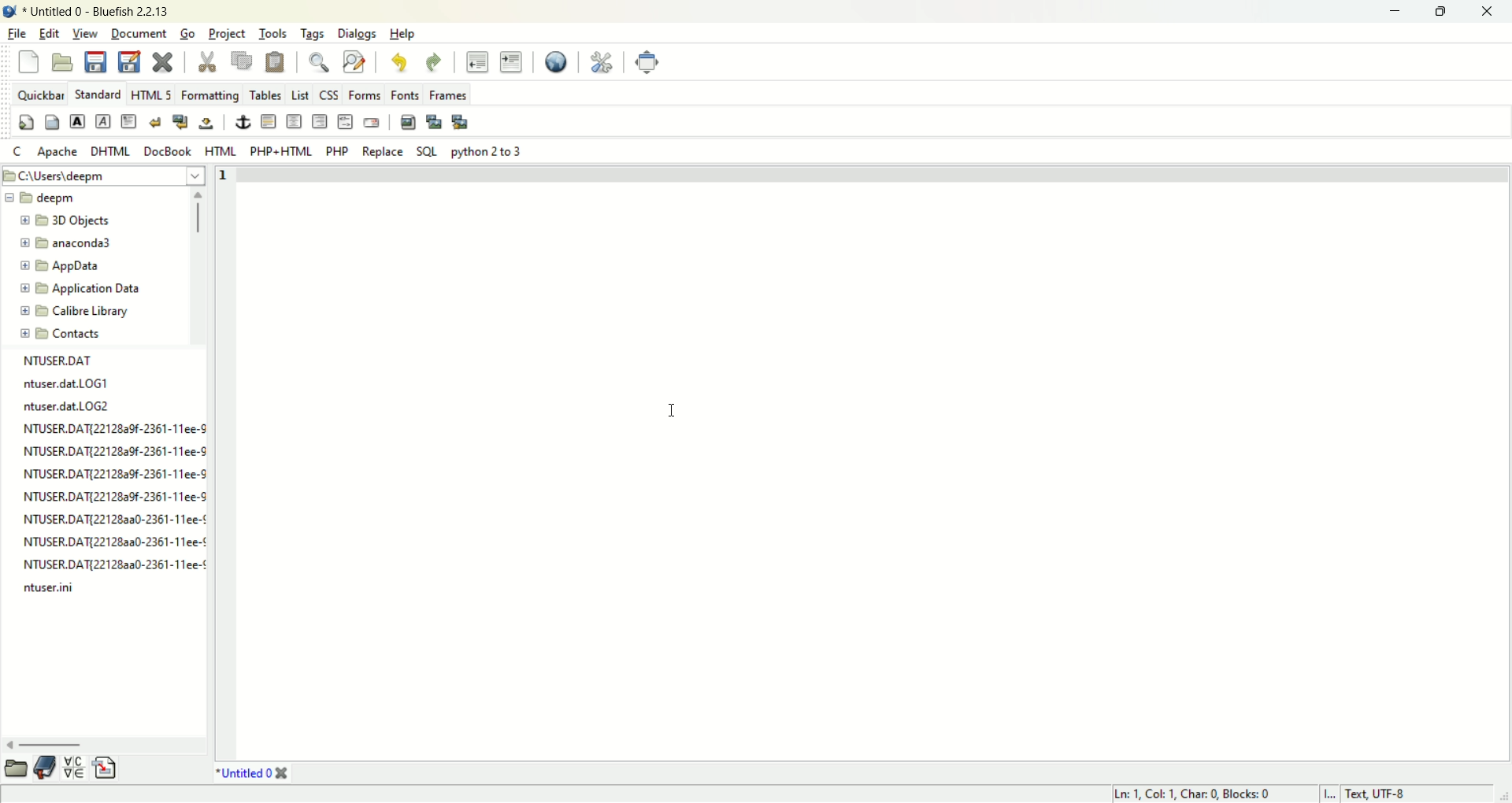  What do you see at coordinates (462, 122) in the screenshot?
I see `multi thumbnail` at bounding box center [462, 122].